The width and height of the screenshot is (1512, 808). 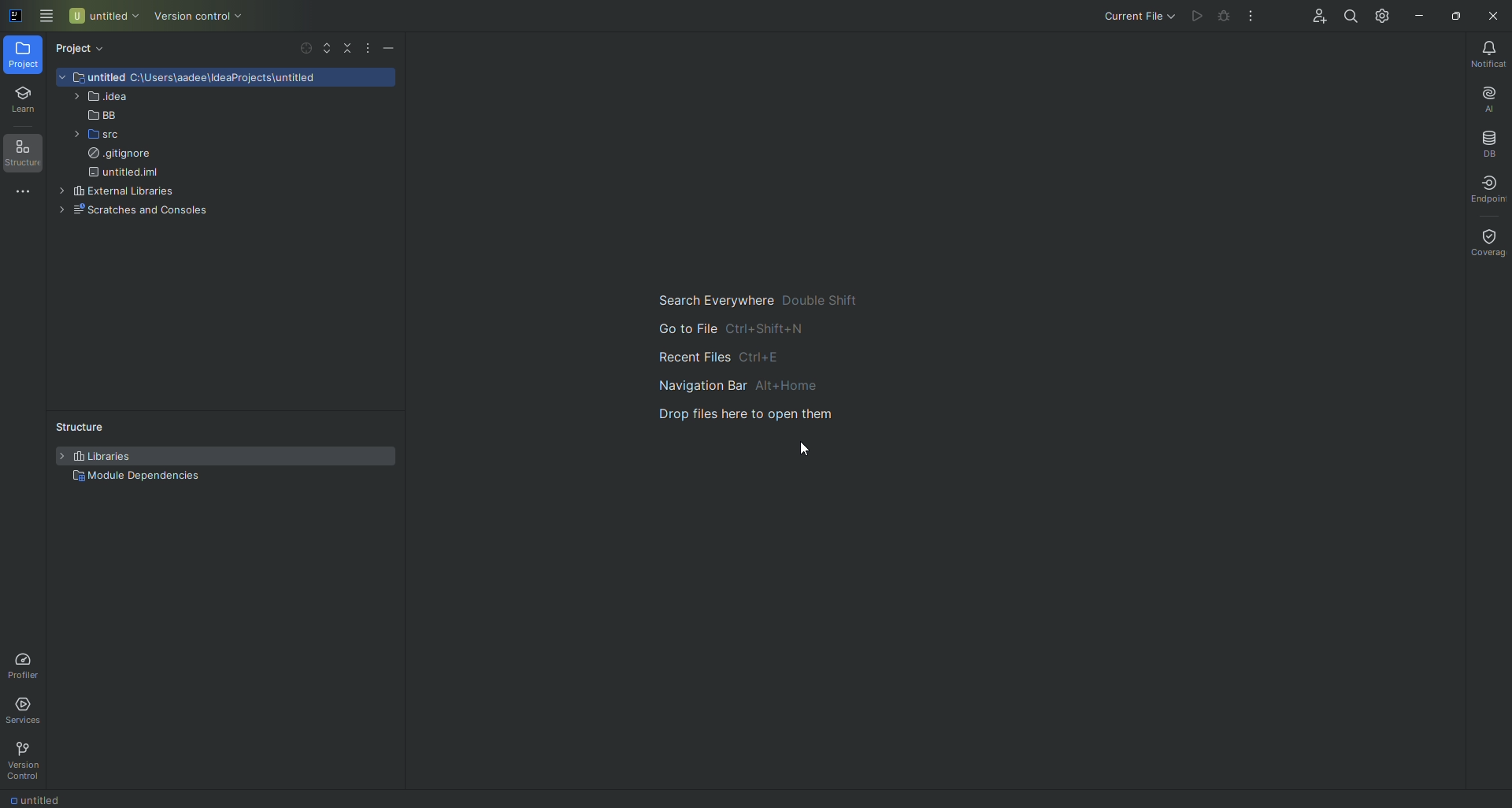 I want to click on Project, so click(x=24, y=56).